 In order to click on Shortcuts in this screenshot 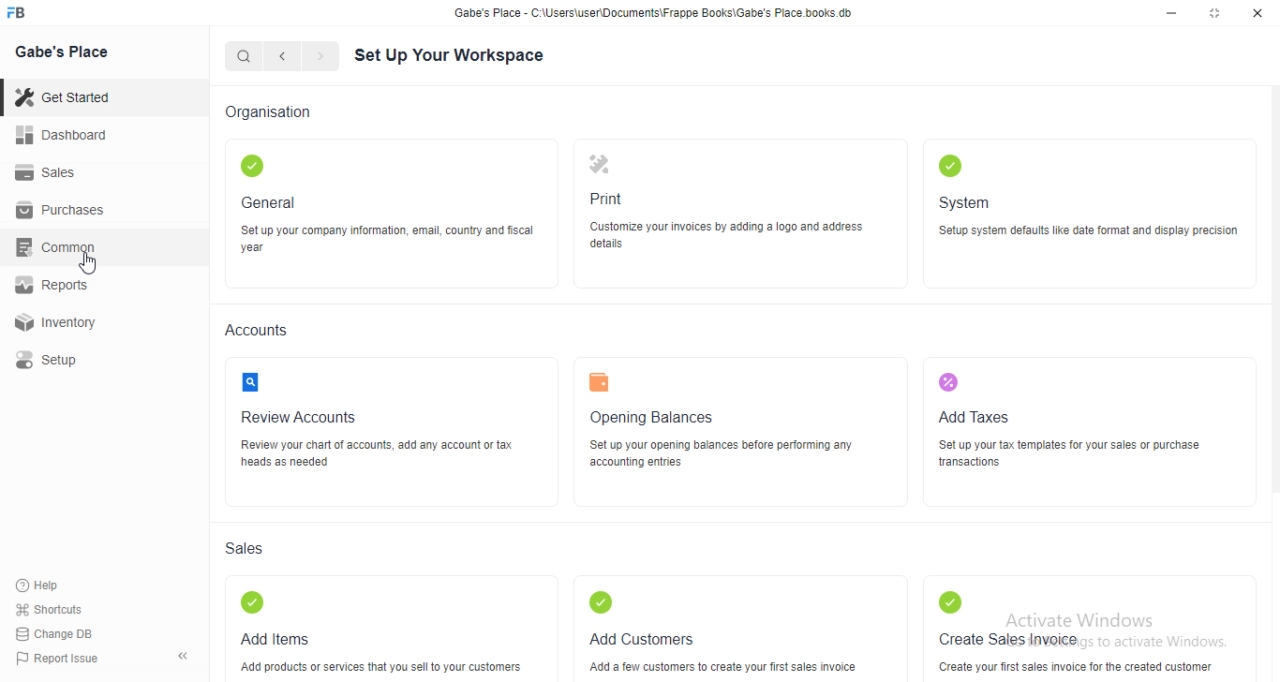, I will do `click(49, 608)`.